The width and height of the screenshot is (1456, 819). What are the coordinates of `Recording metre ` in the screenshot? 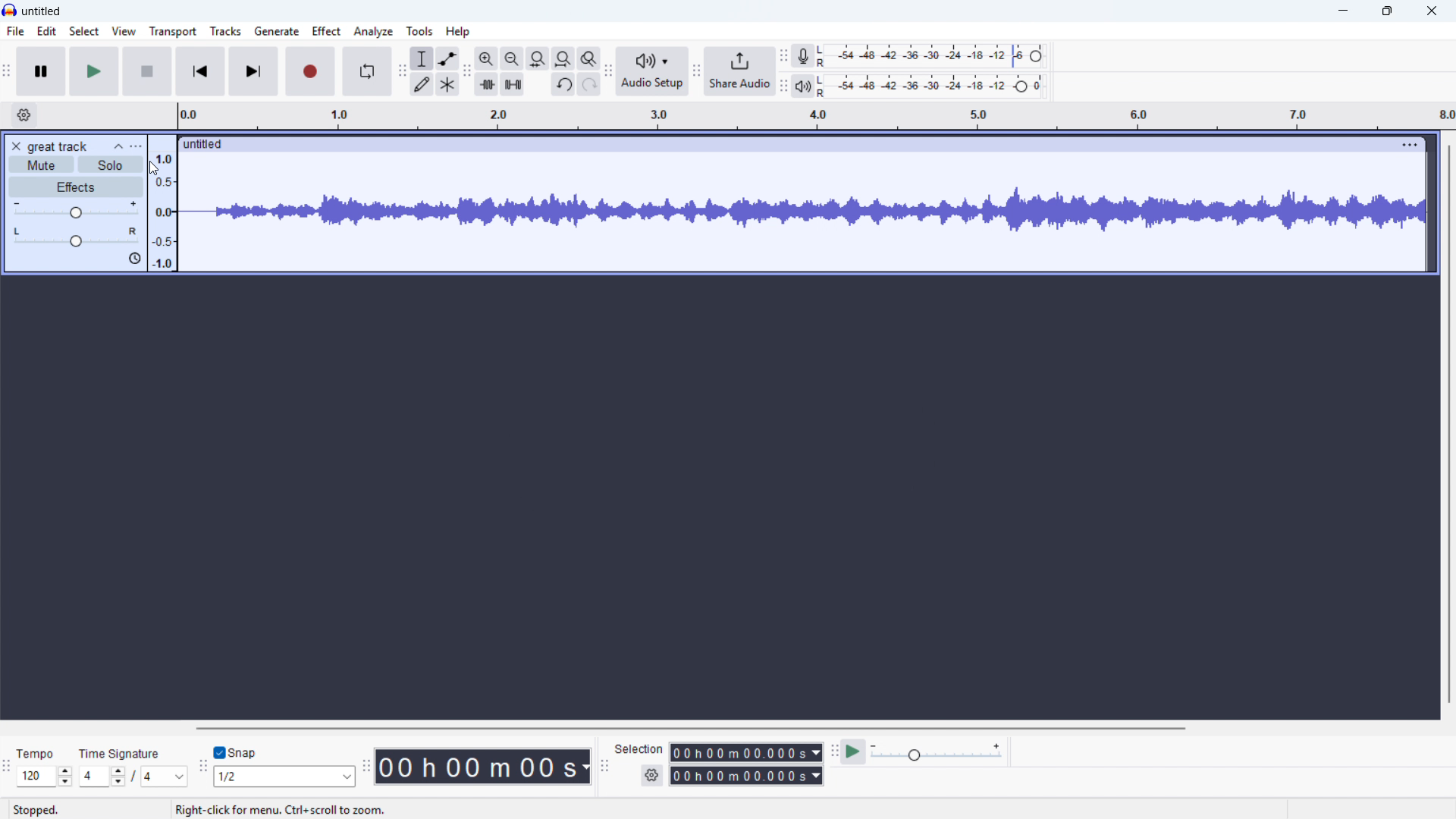 It's located at (802, 56).